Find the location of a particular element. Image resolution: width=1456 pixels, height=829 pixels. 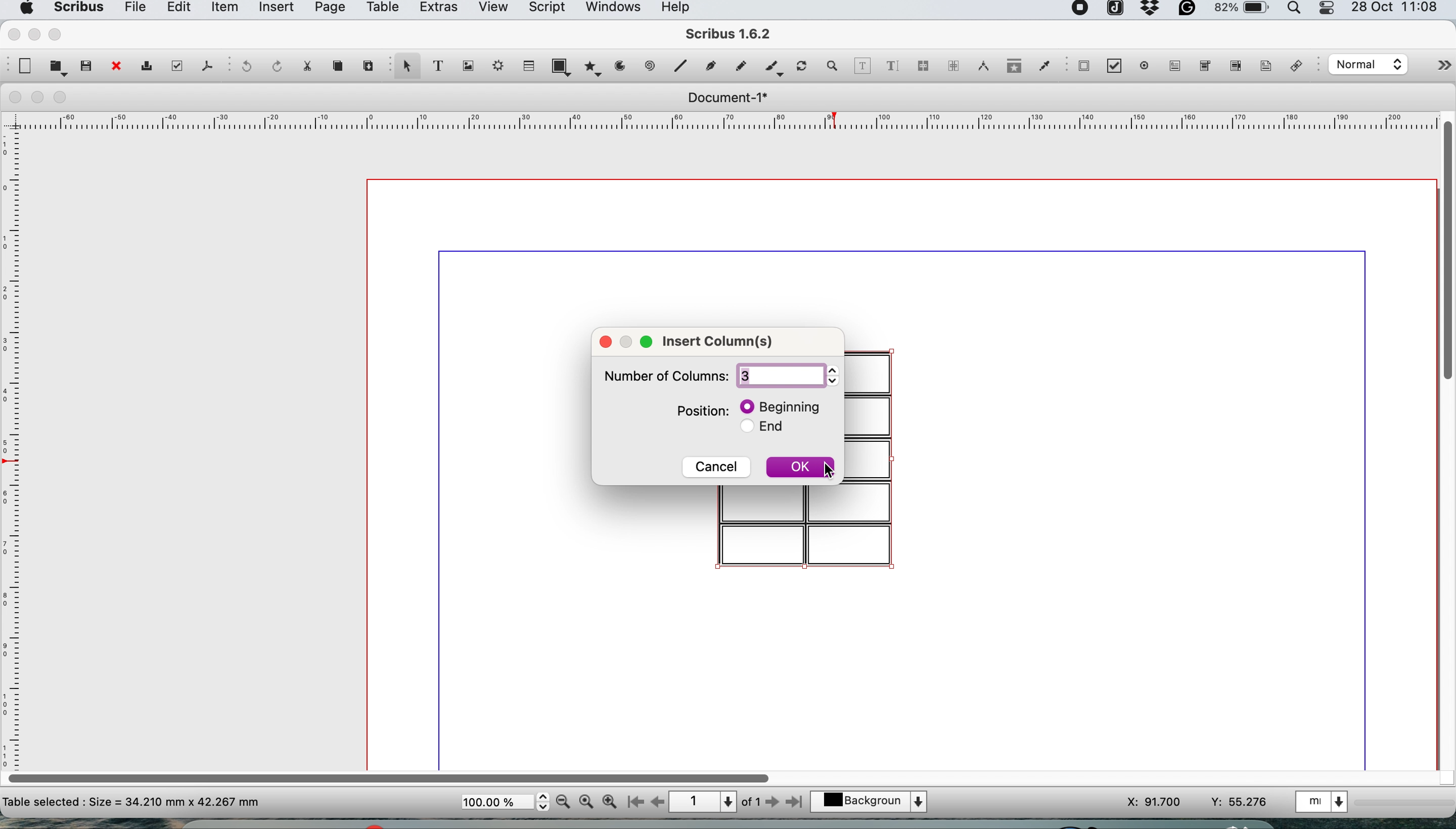

edit text with story mode is located at coordinates (892, 67).